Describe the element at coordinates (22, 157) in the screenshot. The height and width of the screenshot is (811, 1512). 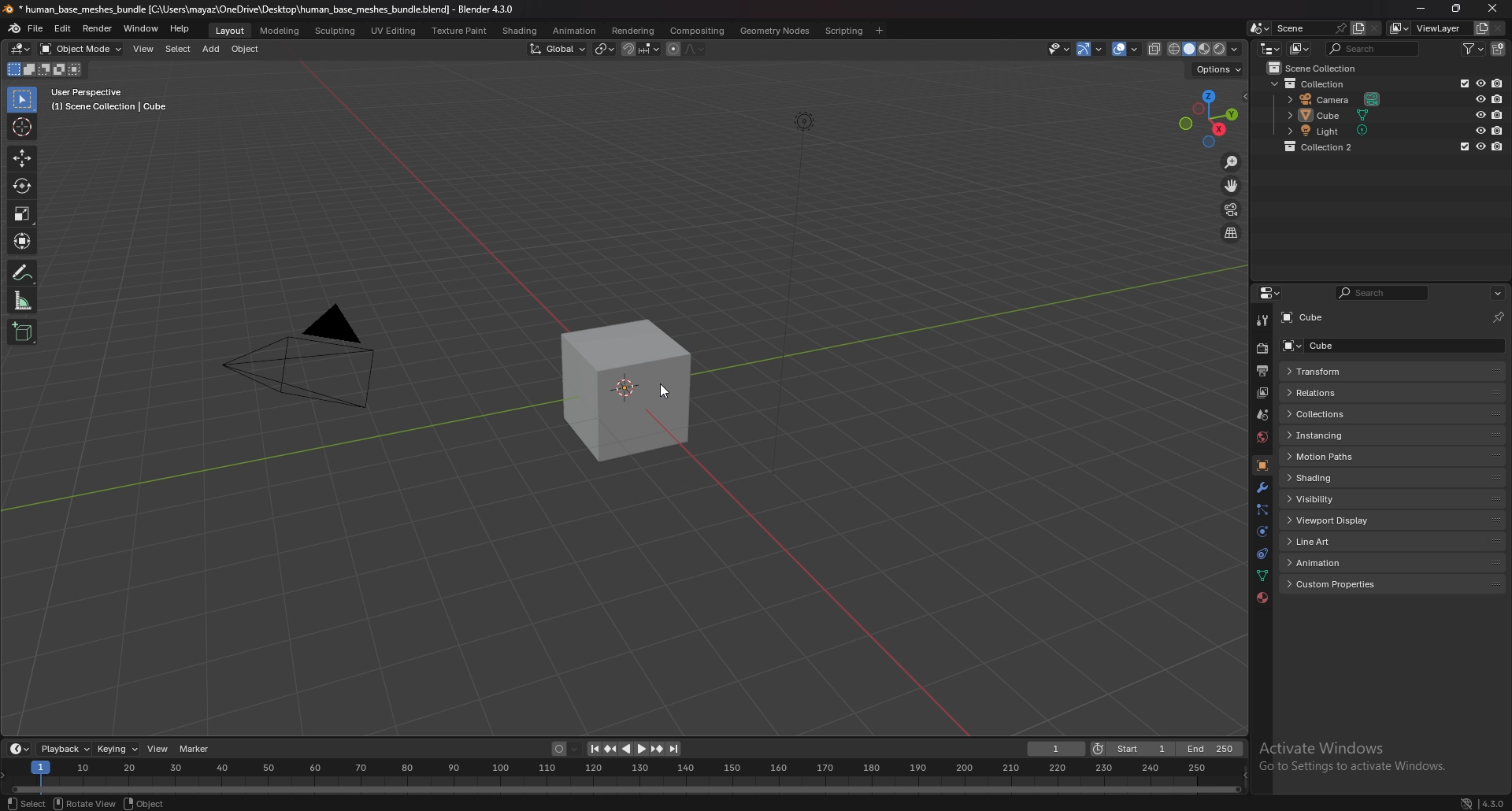
I see `move` at that location.